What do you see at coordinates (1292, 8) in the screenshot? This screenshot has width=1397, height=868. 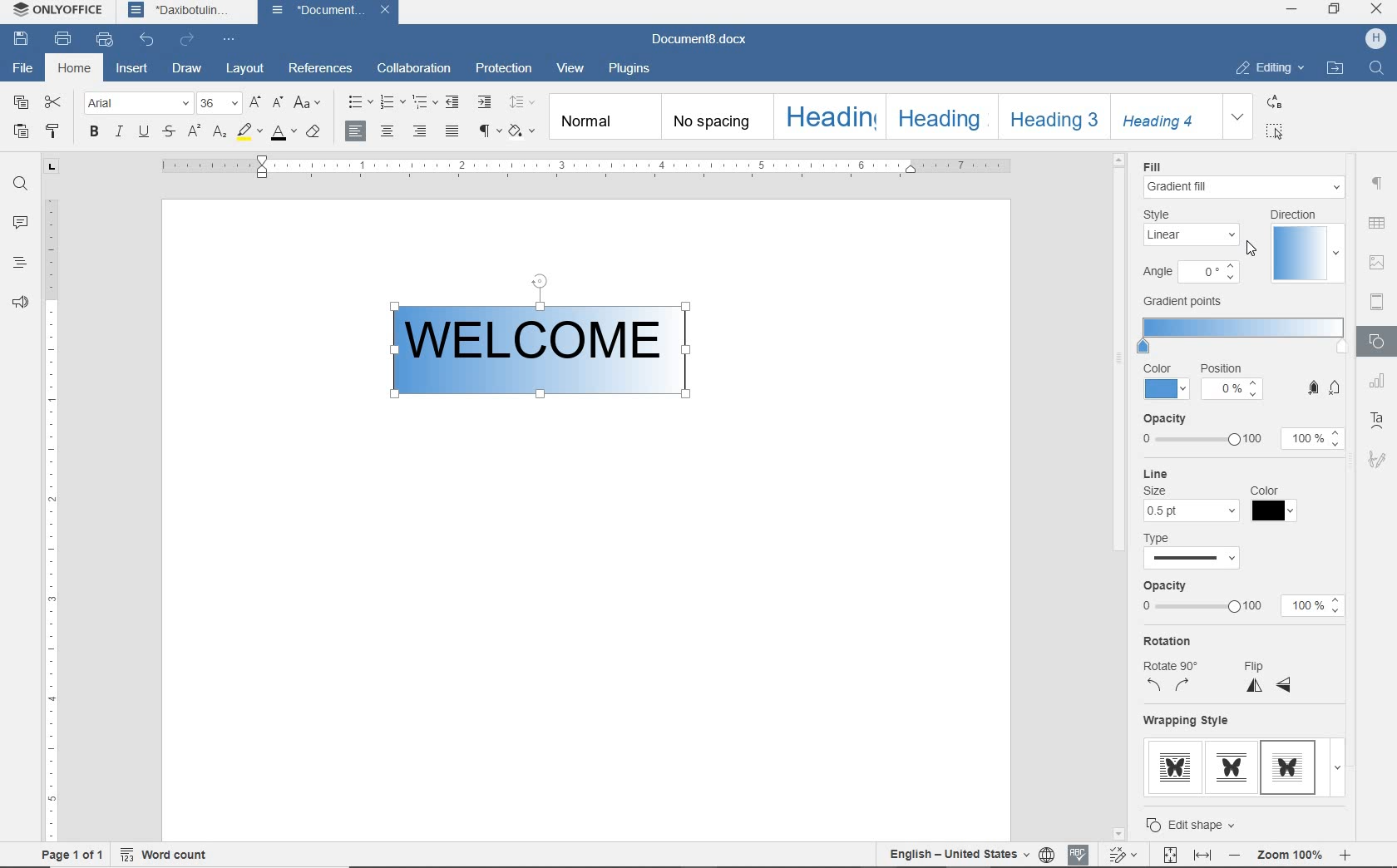 I see `MINIMIZE` at bounding box center [1292, 8].